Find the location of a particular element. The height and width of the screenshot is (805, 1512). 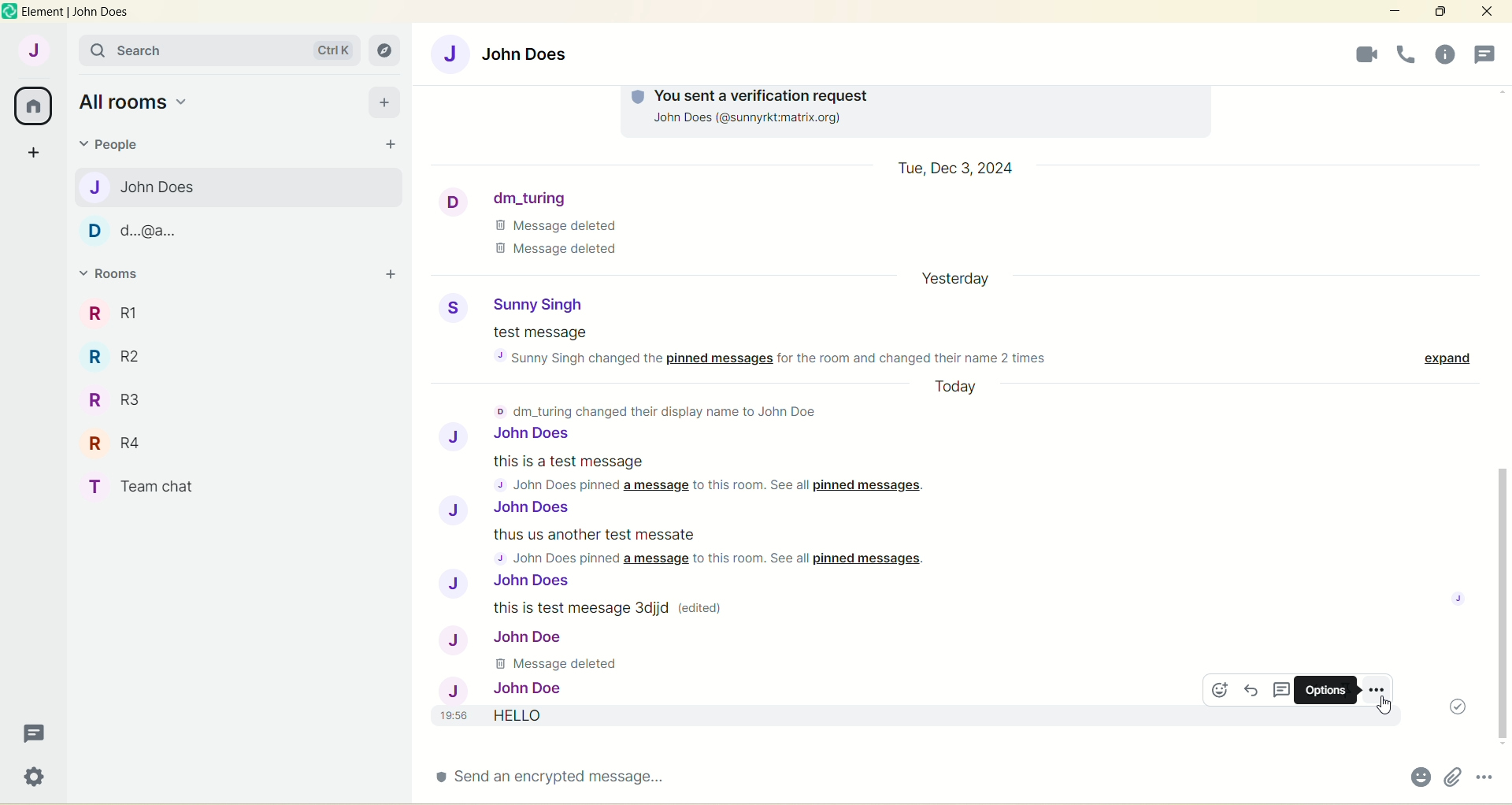

sunny Singh changed the pinned messages for the room and changed their name 2 times is located at coordinates (785, 357).